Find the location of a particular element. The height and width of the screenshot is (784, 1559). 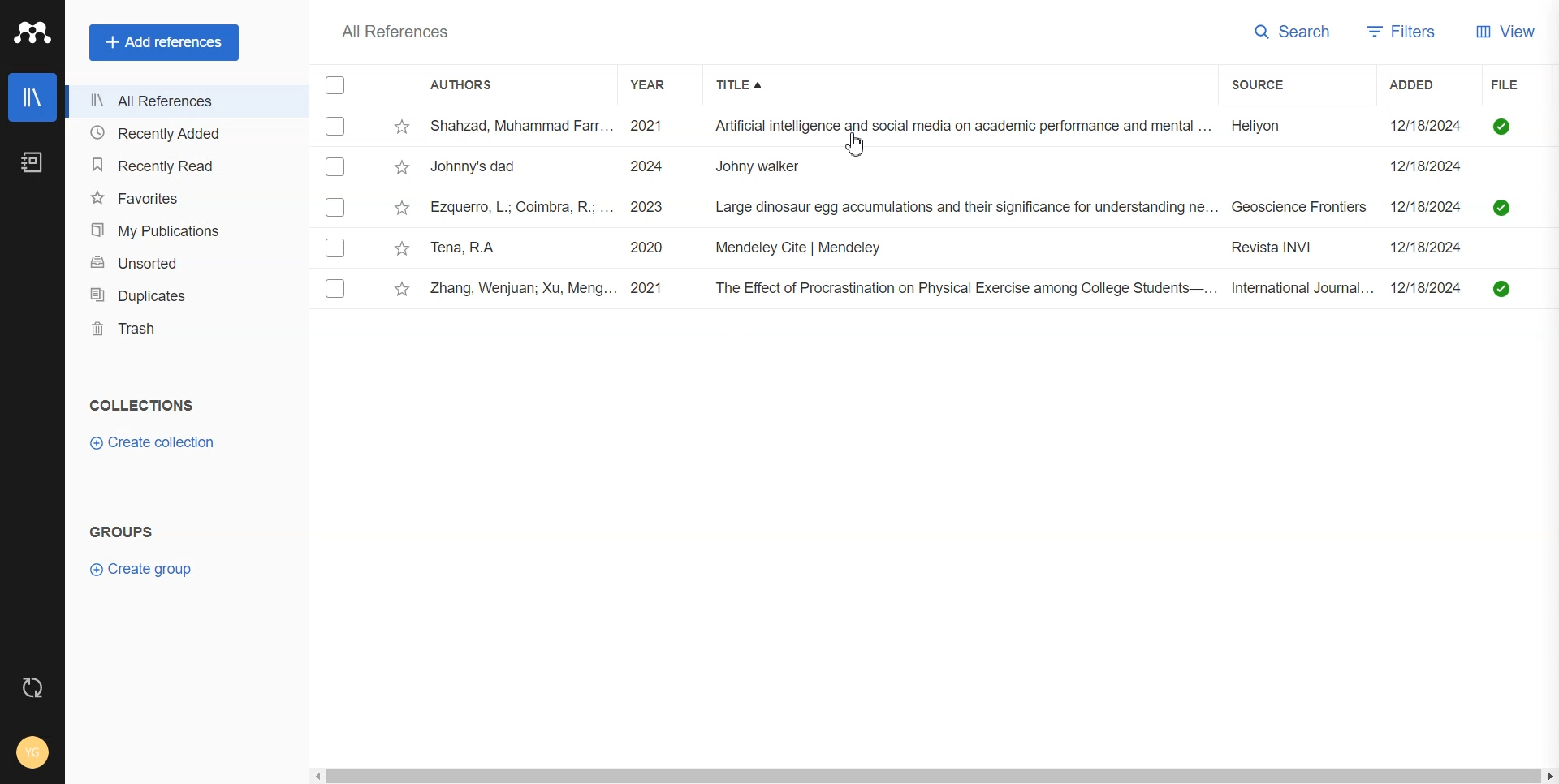

Trash  is located at coordinates (175, 327).